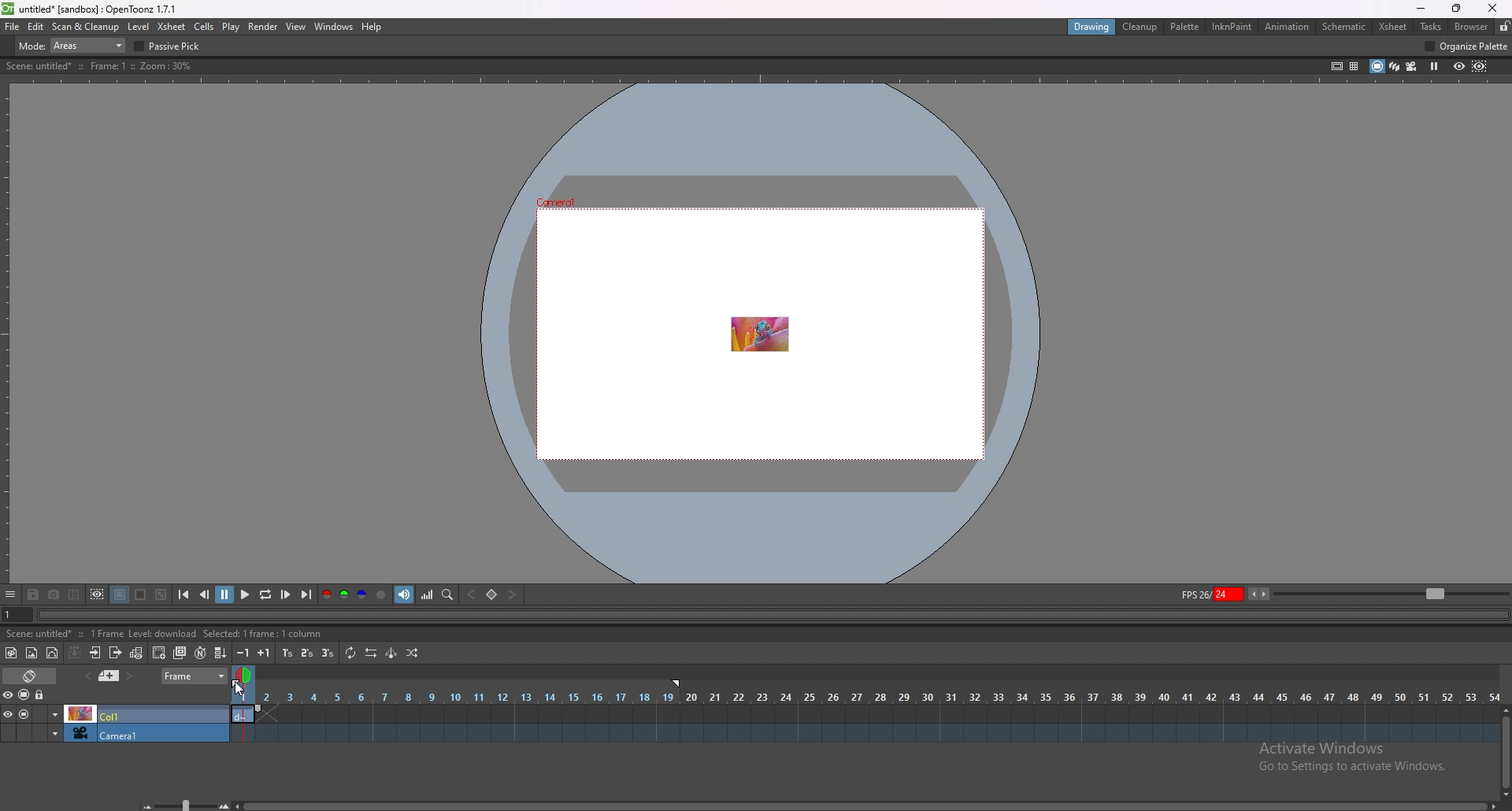 Image resolution: width=1512 pixels, height=811 pixels. Describe the element at coordinates (242, 672) in the screenshot. I see `time selection` at that location.